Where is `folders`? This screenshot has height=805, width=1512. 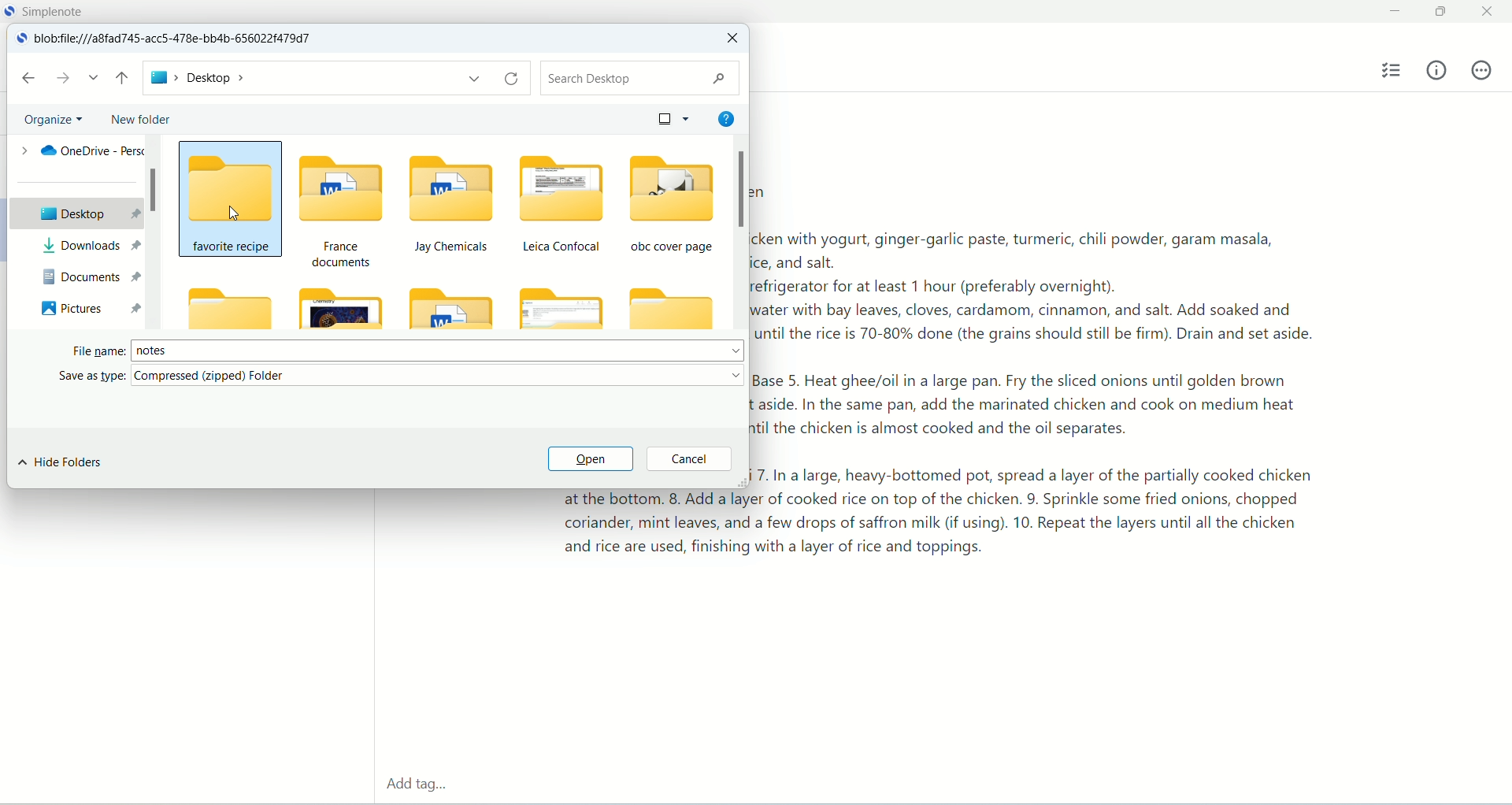 folders is located at coordinates (509, 239).